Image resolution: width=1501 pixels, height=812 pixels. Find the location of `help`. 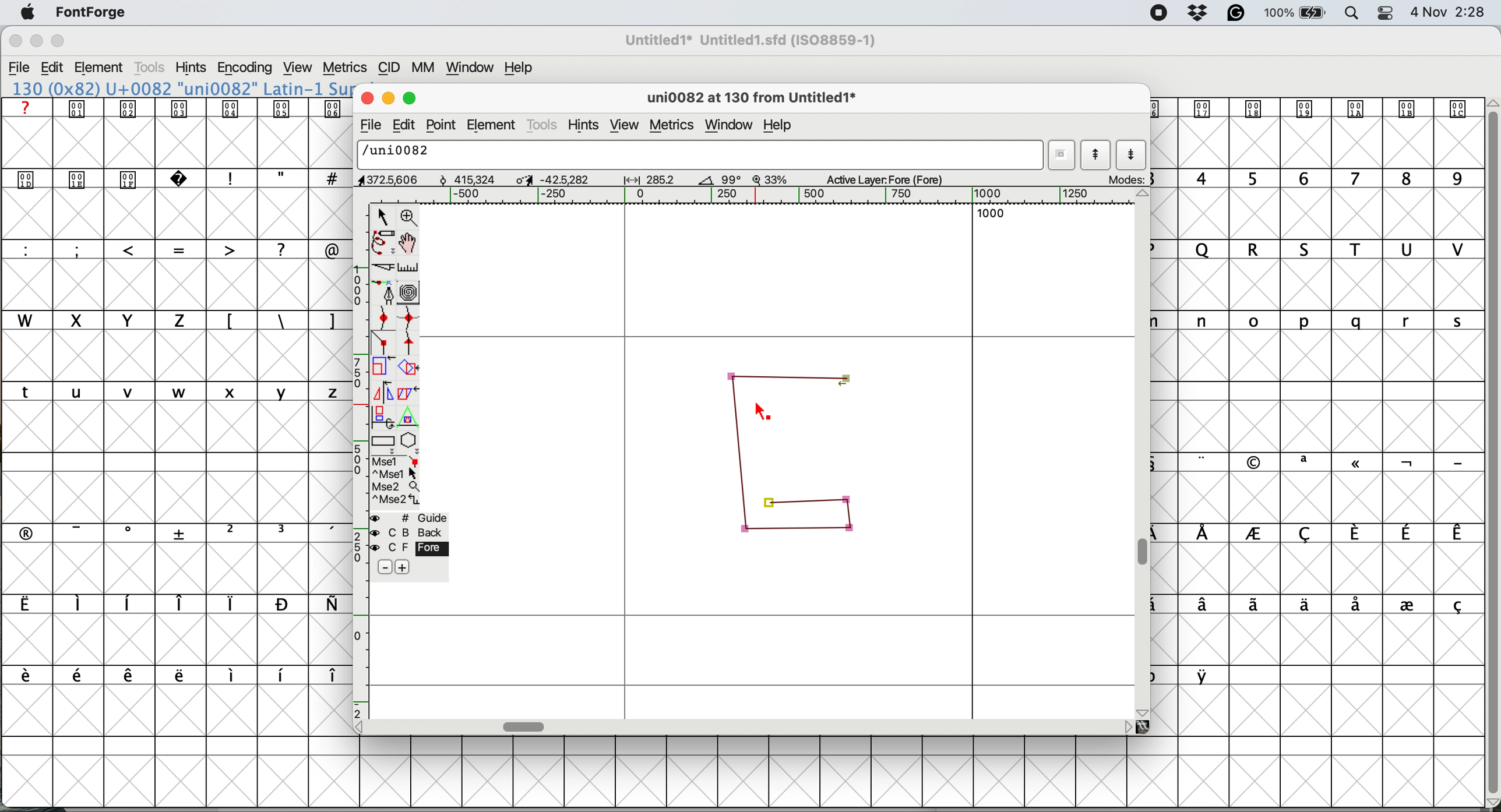

help is located at coordinates (522, 68).